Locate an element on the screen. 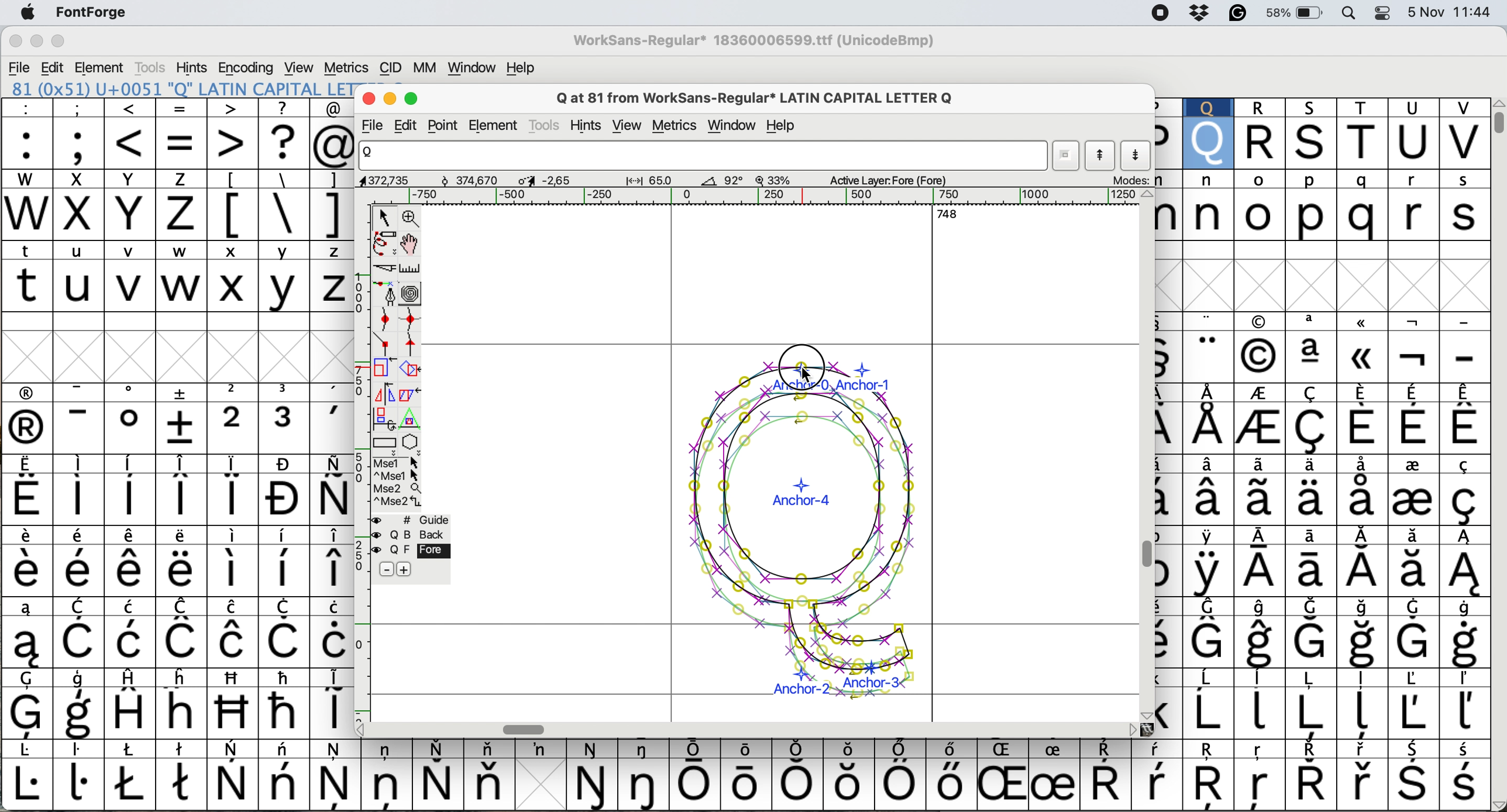 Image resolution: width=1507 pixels, height=812 pixels. guide is located at coordinates (412, 521).